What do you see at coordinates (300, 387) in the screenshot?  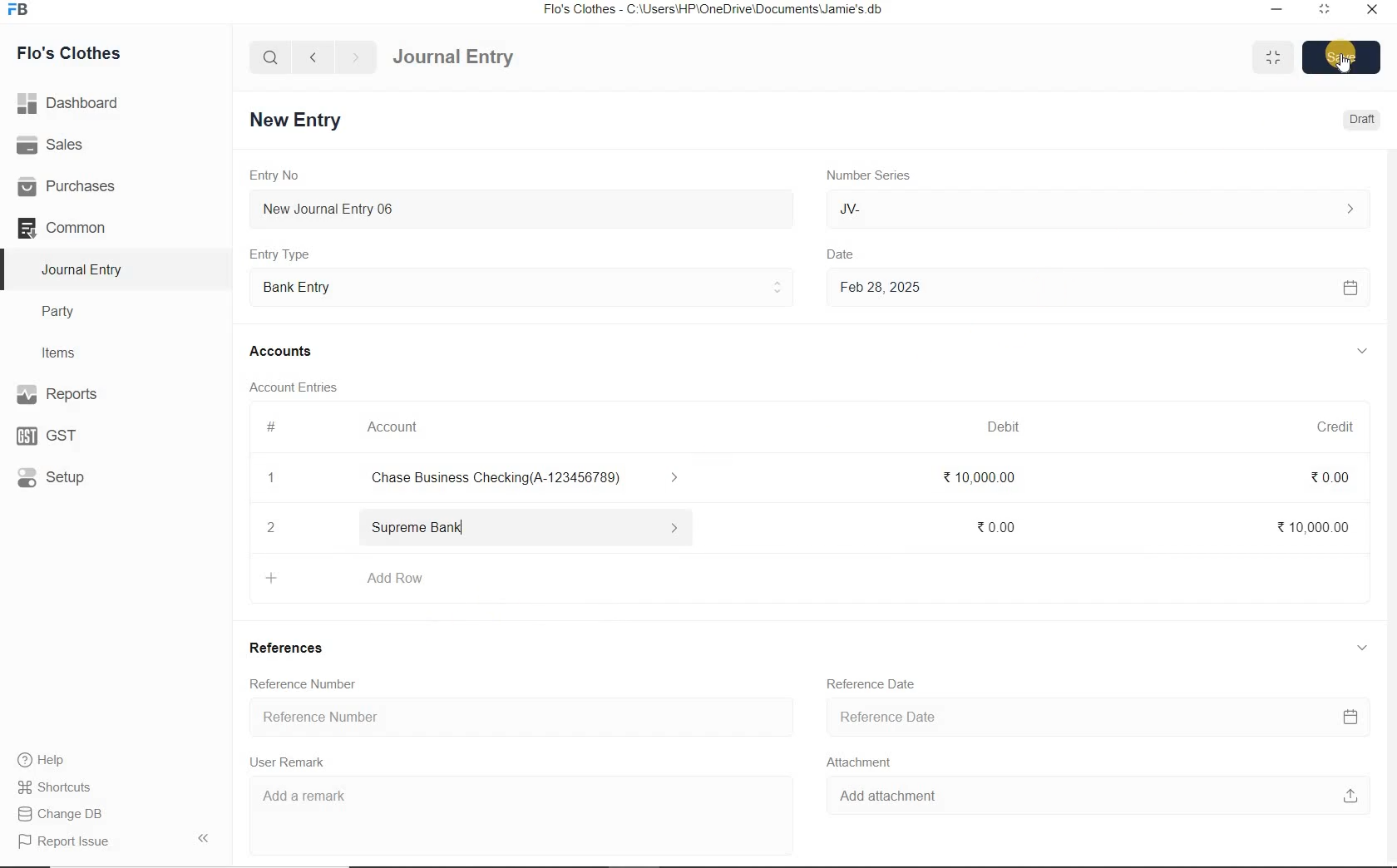 I see `Account Entries` at bounding box center [300, 387].